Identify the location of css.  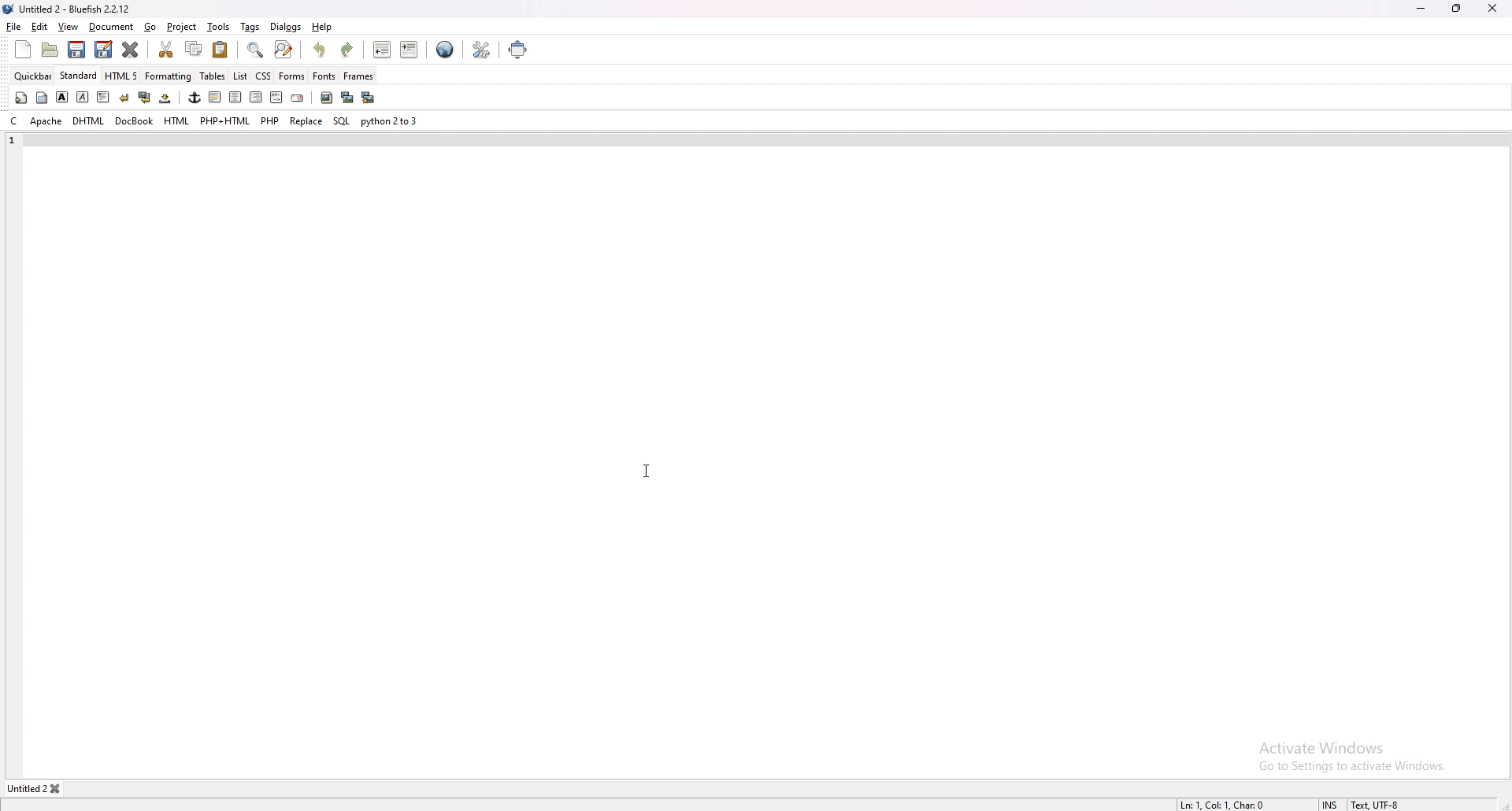
(262, 77).